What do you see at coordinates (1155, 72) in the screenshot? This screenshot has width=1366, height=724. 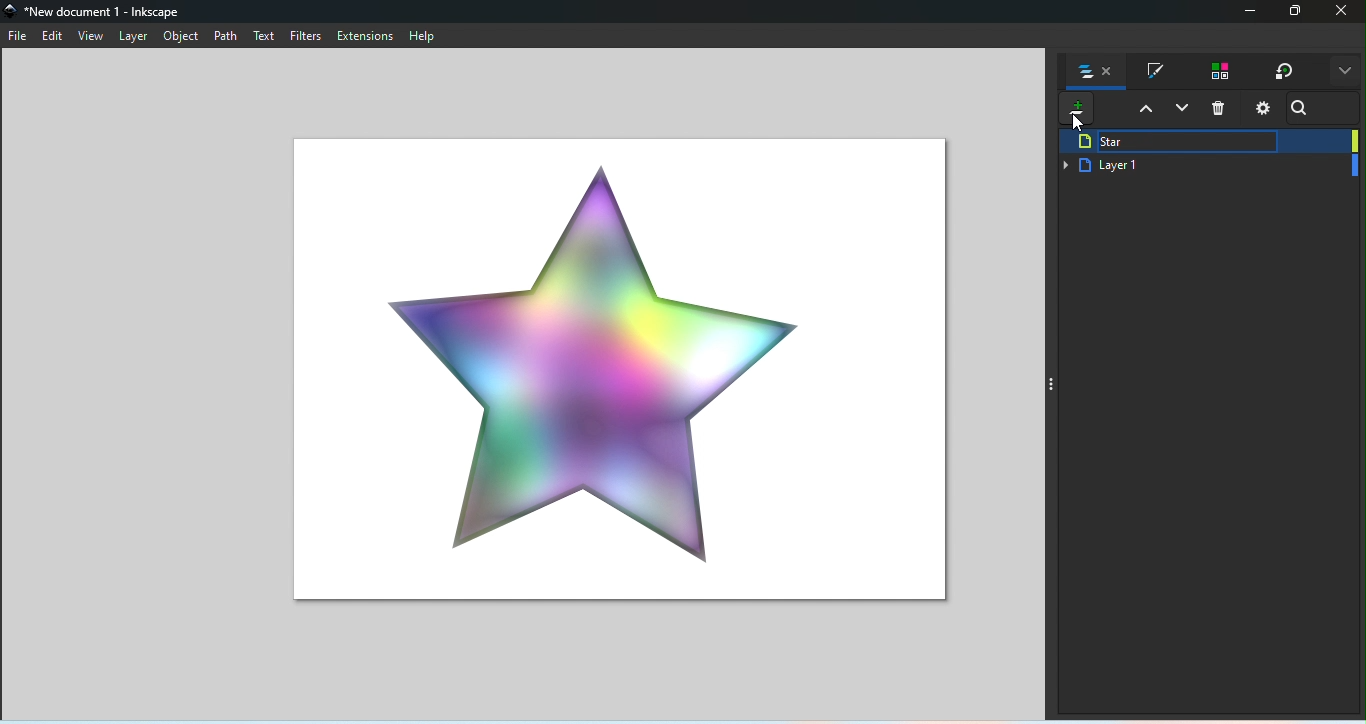 I see `Fill and stroke` at bounding box center [1155, 72].